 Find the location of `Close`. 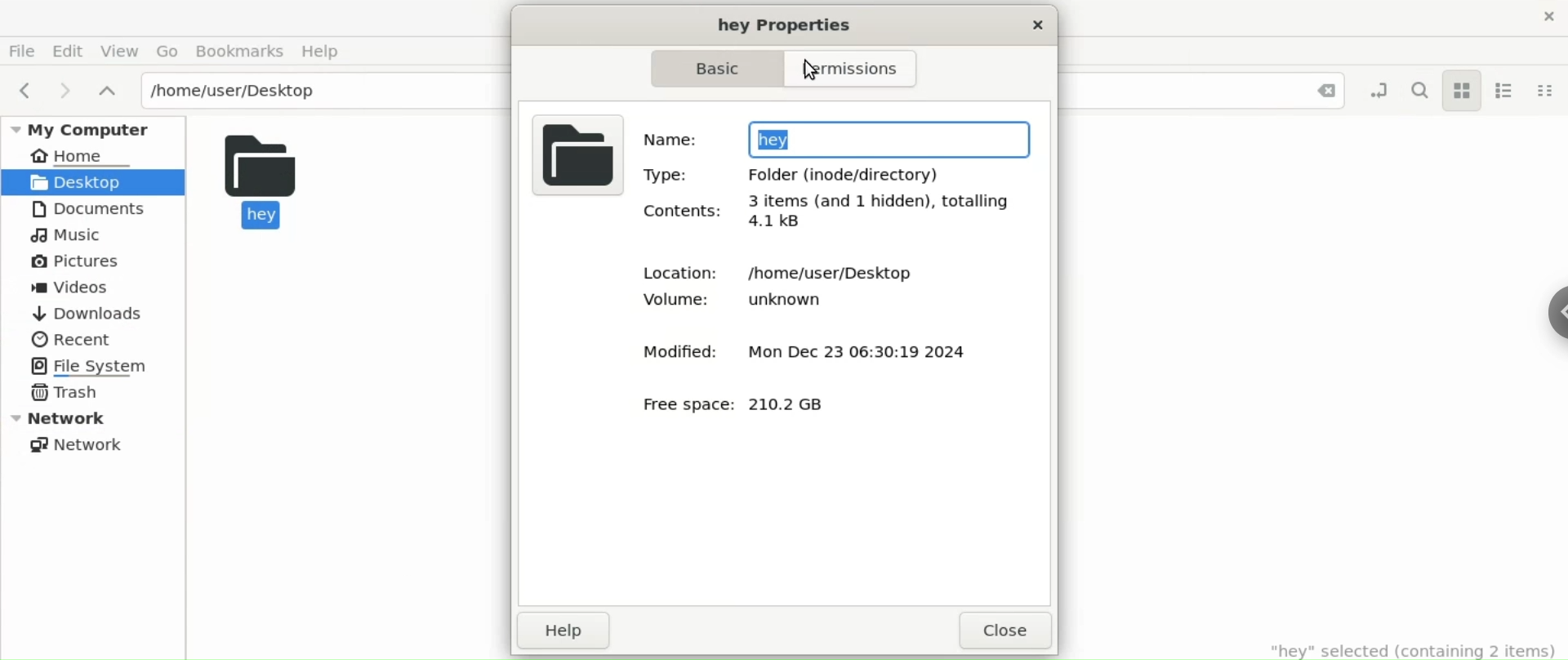

Close is located at coordinates (1325, 91).